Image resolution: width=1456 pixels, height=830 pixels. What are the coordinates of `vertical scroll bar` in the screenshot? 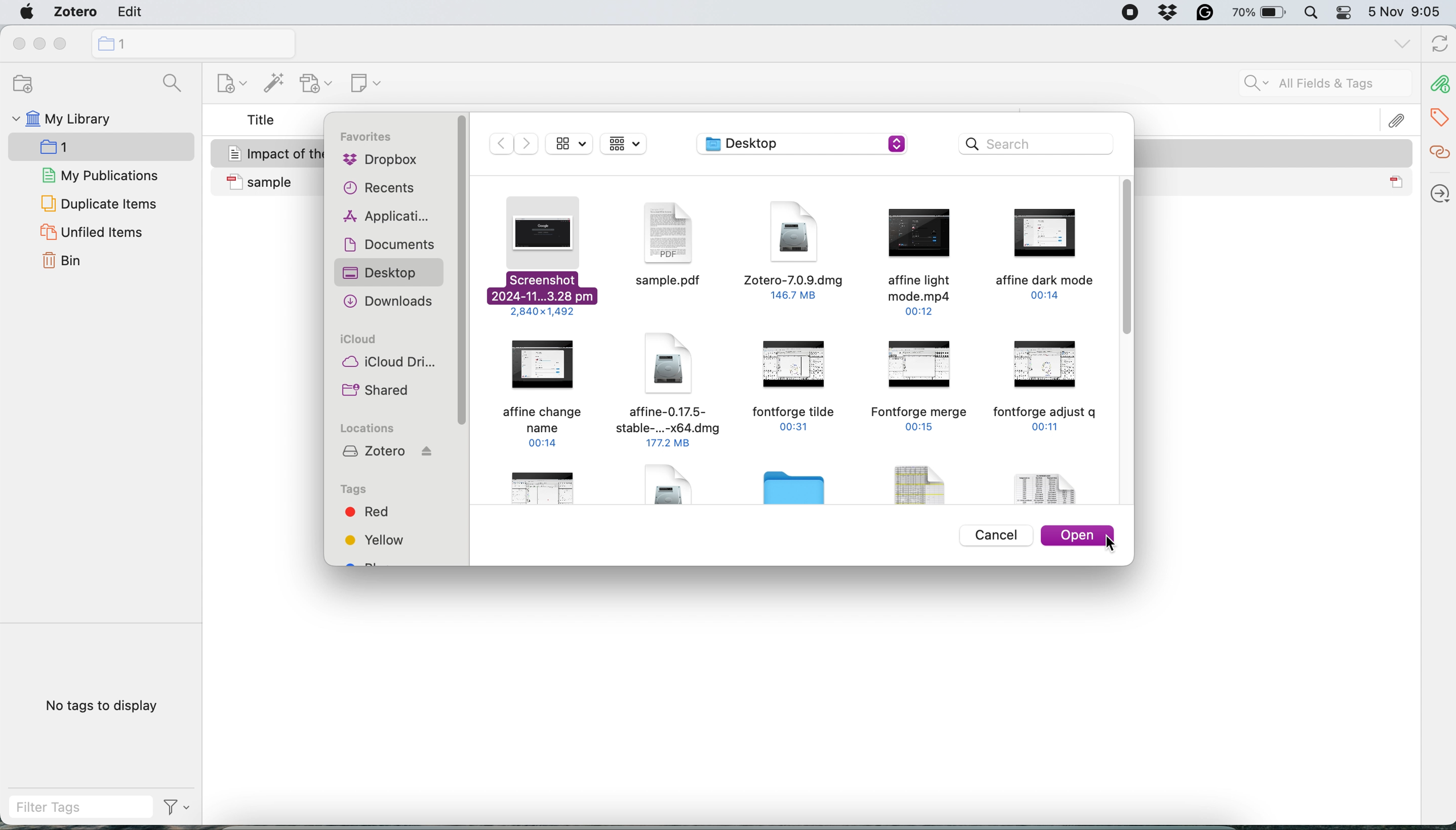 It's located at (1128, 260).